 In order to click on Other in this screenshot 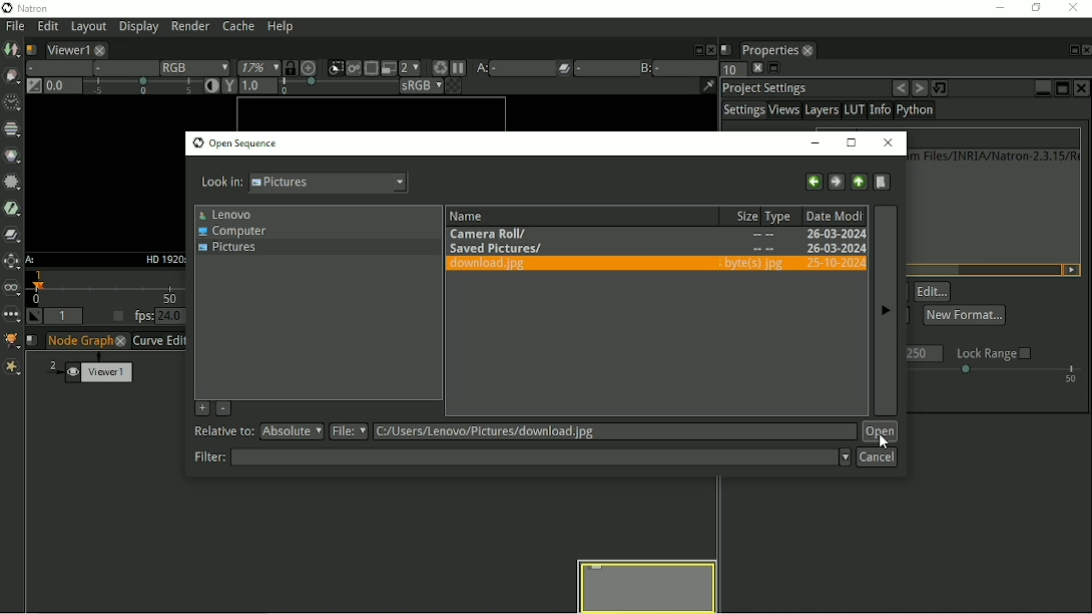, I will do `click(11, 314)`.